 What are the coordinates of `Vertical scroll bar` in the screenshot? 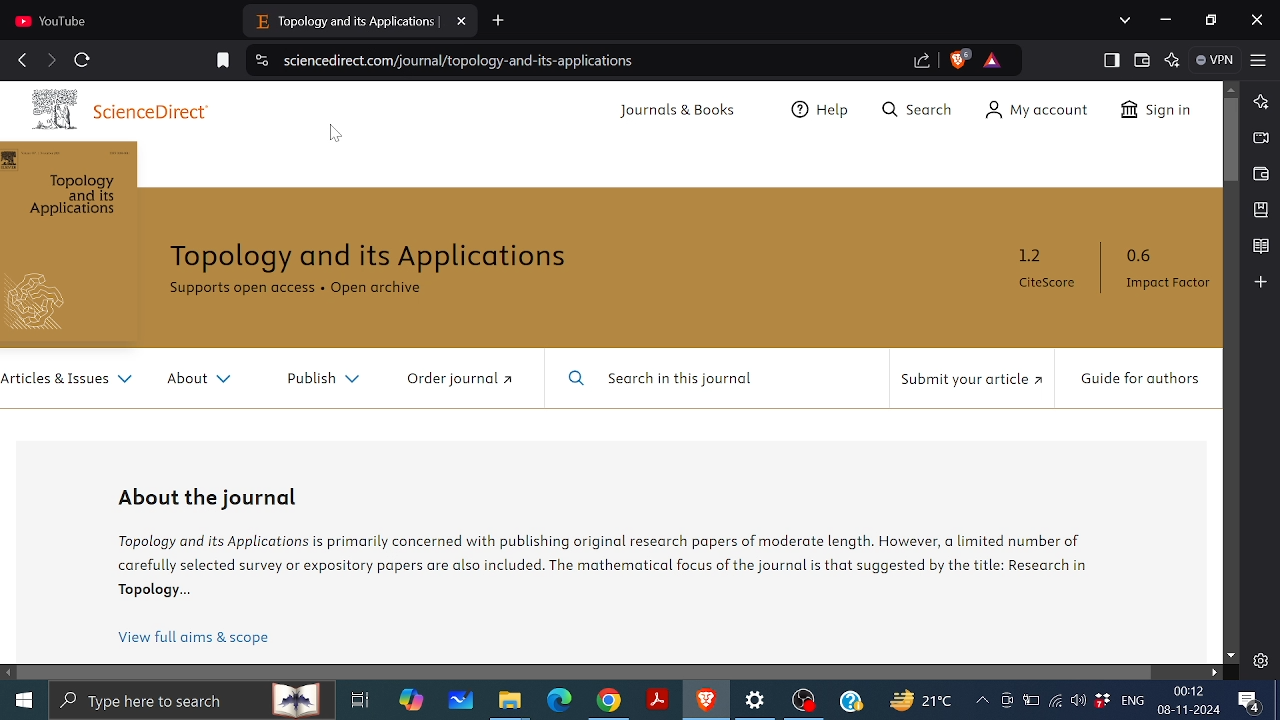 It's located at (1232, 141).